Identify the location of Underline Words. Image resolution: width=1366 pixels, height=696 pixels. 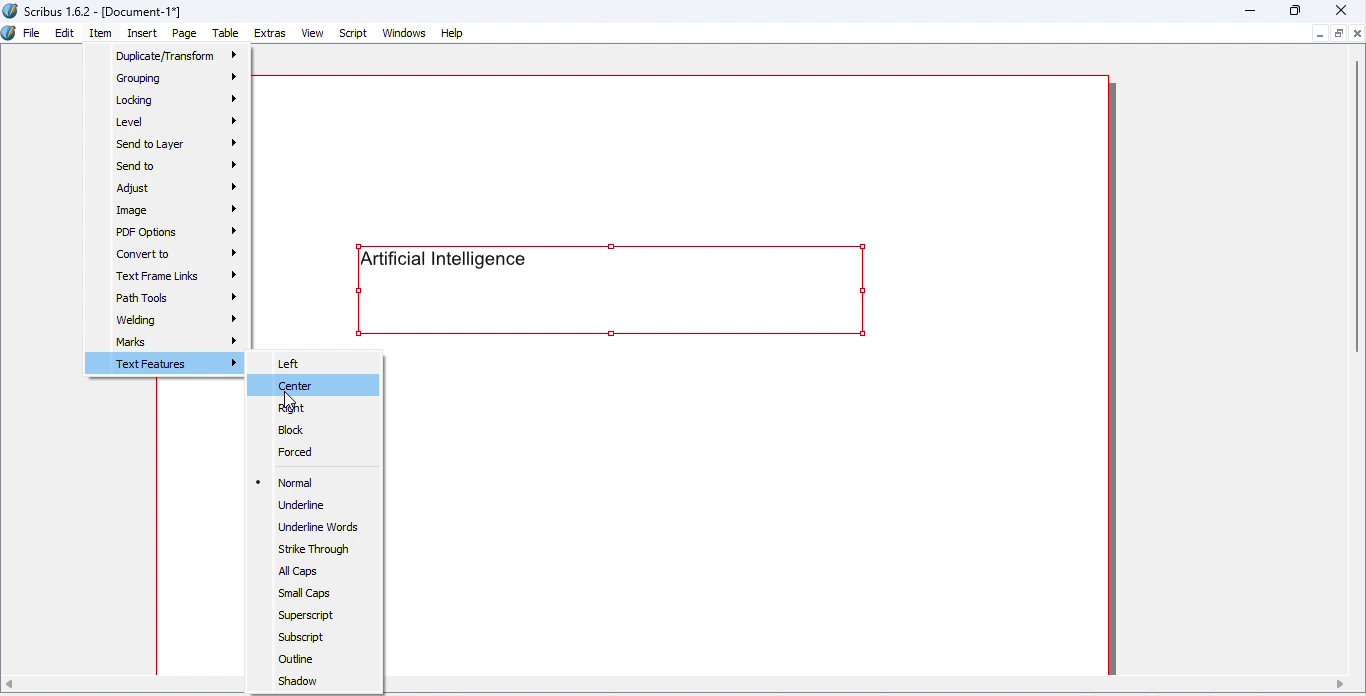
(315, 528).